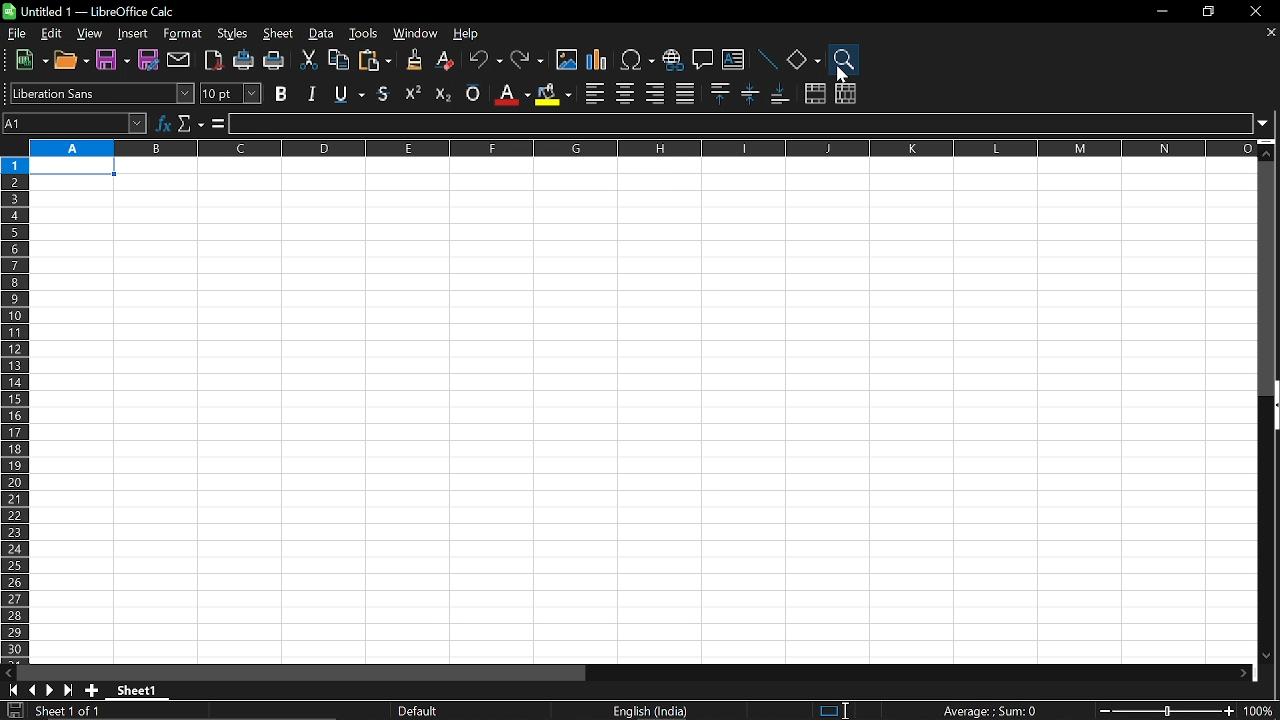  I want to click on previous page, so click(32, 690).